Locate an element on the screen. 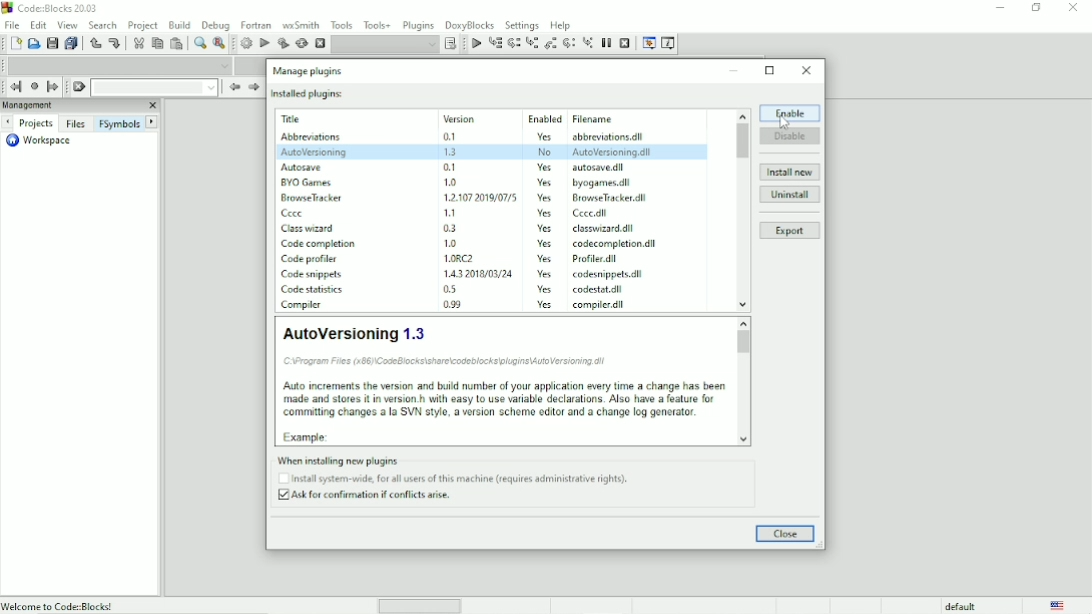  scroll down  is located at coordinates (743, 305).